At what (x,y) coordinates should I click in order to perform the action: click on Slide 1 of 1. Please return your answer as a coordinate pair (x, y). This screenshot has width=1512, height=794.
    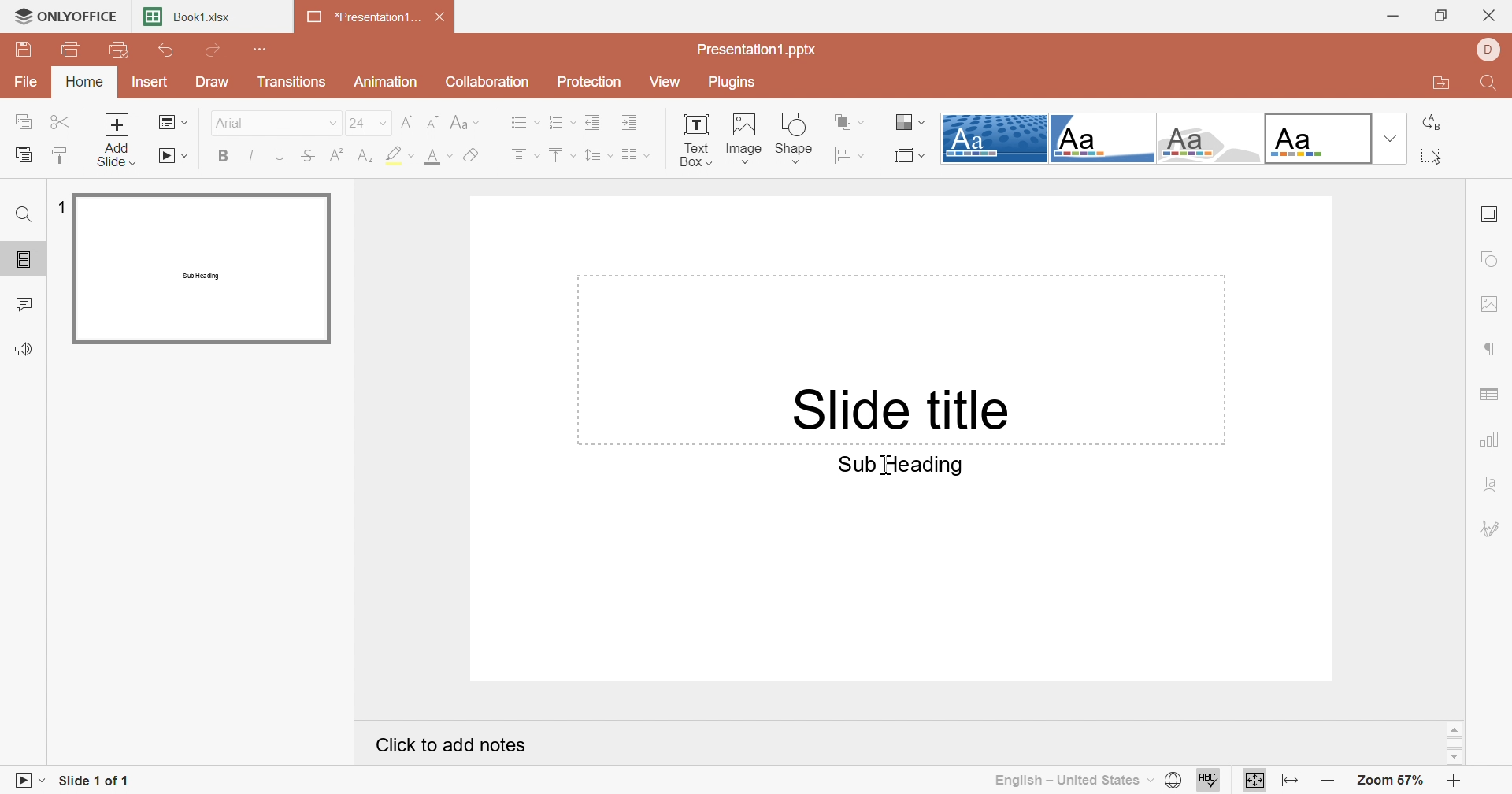
    Looking at the image, I should click on (102, 780).